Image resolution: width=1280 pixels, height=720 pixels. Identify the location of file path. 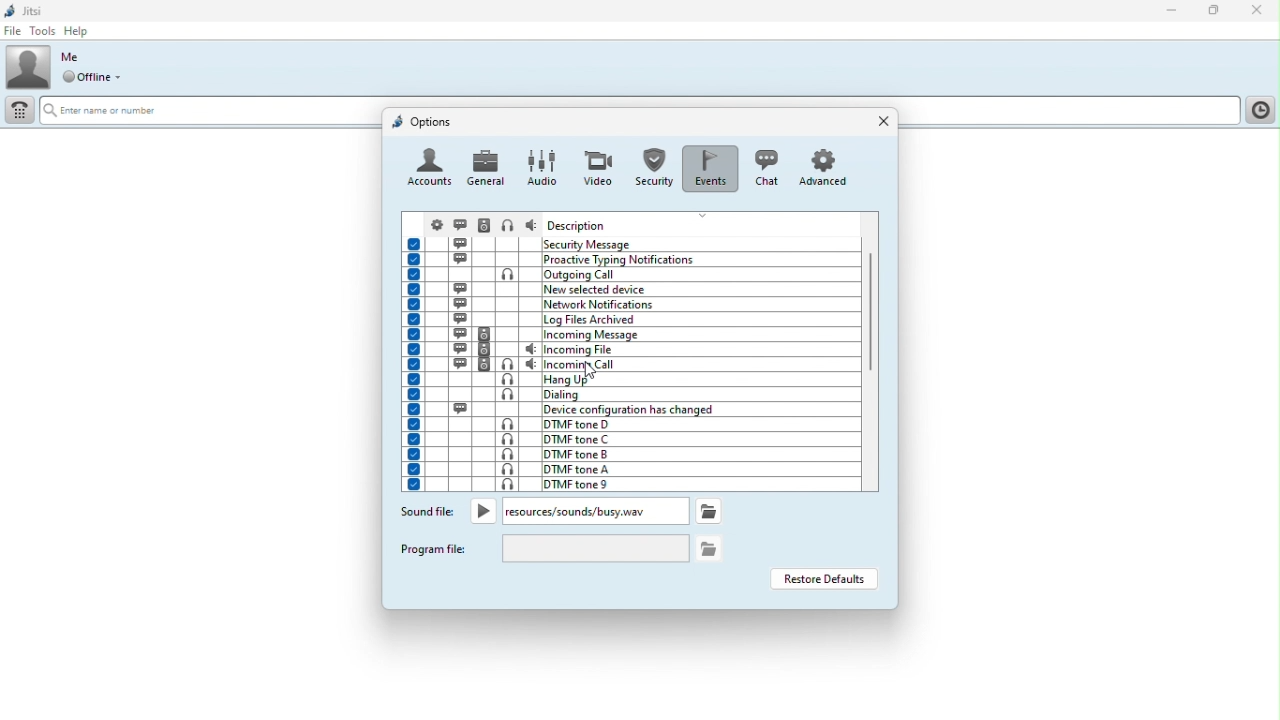
(575, 511).